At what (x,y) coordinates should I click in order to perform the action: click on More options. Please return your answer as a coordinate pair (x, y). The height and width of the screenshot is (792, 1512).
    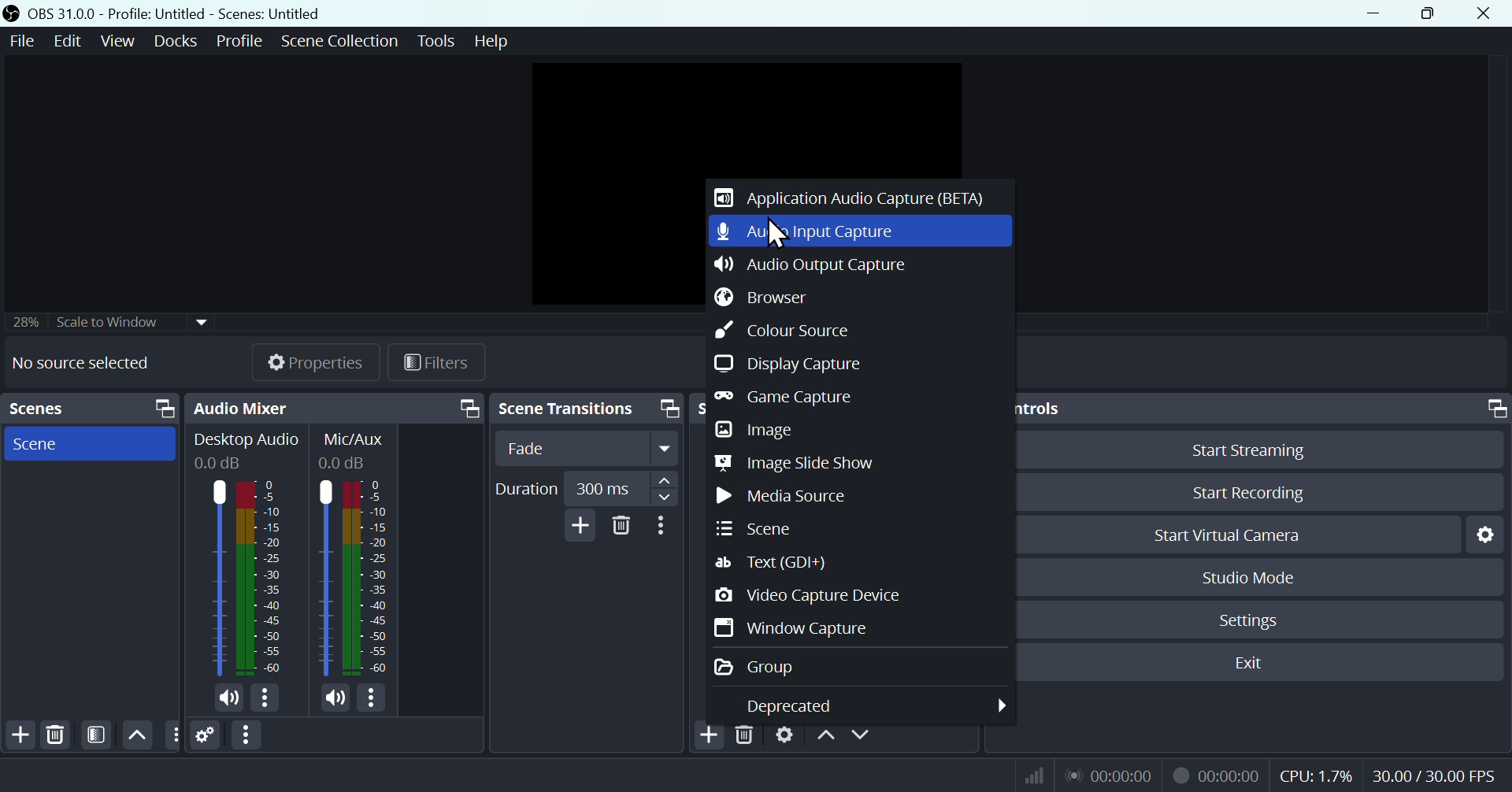
    Looking at the image, I should click on (664, 526).